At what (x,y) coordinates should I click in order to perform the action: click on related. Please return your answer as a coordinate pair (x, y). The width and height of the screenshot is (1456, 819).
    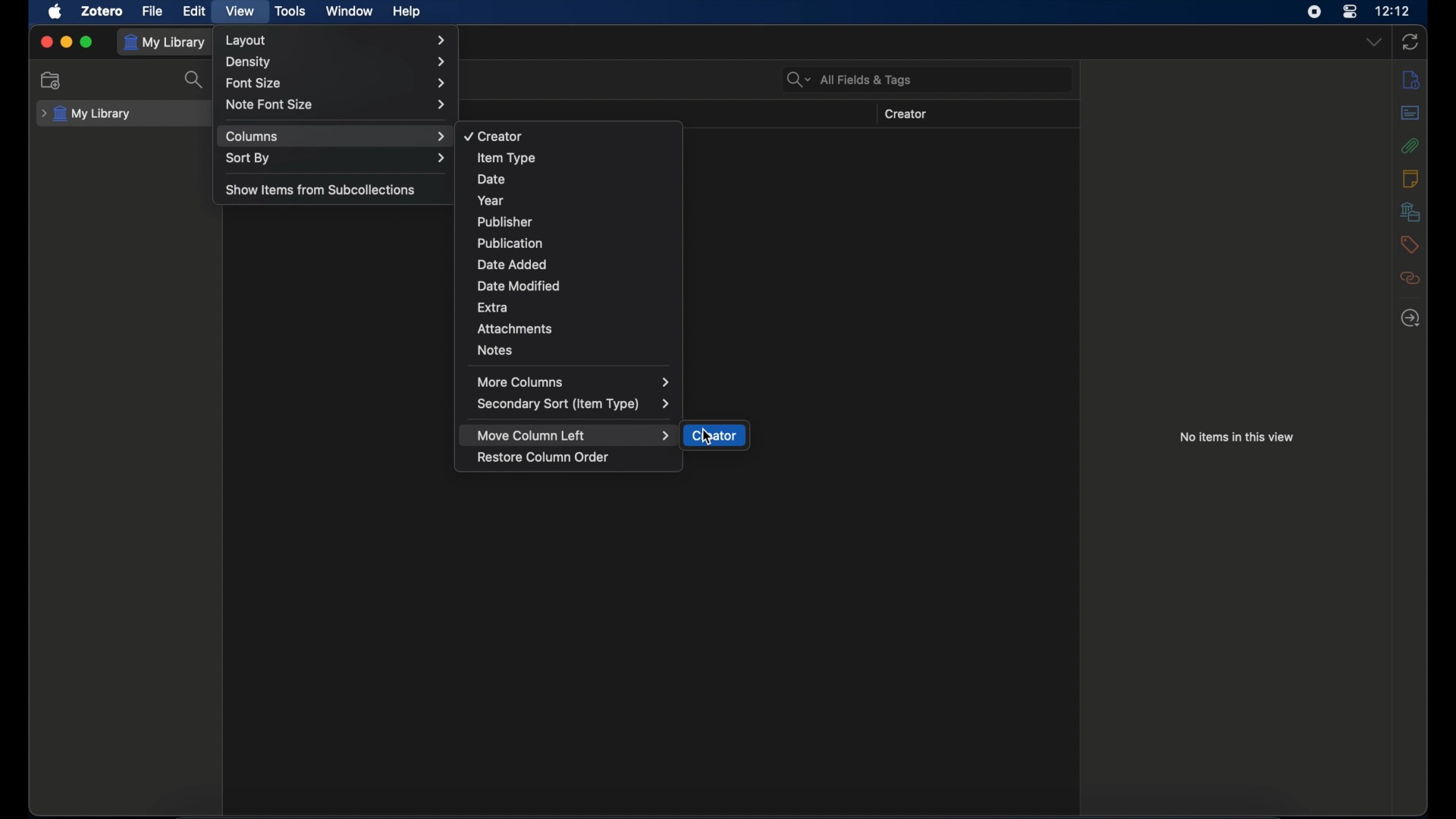
    Looking at the image, I should click on (1410, 278).